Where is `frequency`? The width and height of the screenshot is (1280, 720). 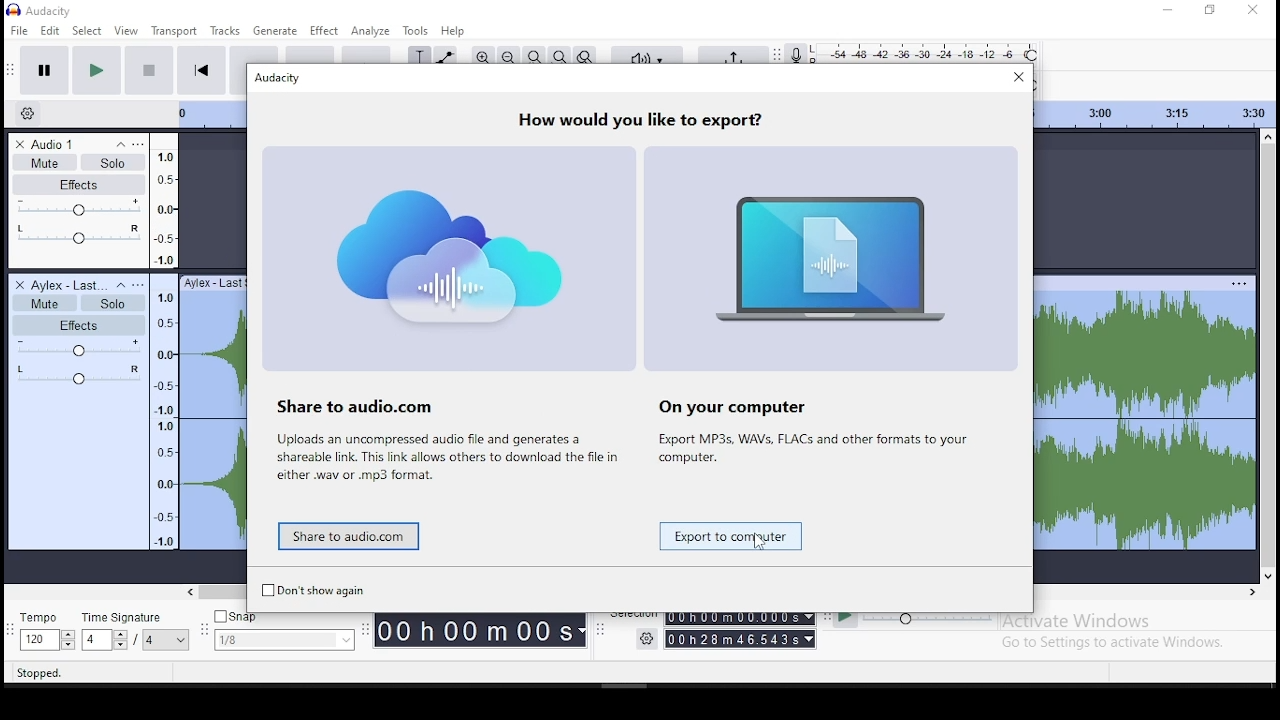
frequency is located at coordinates (164, 412).